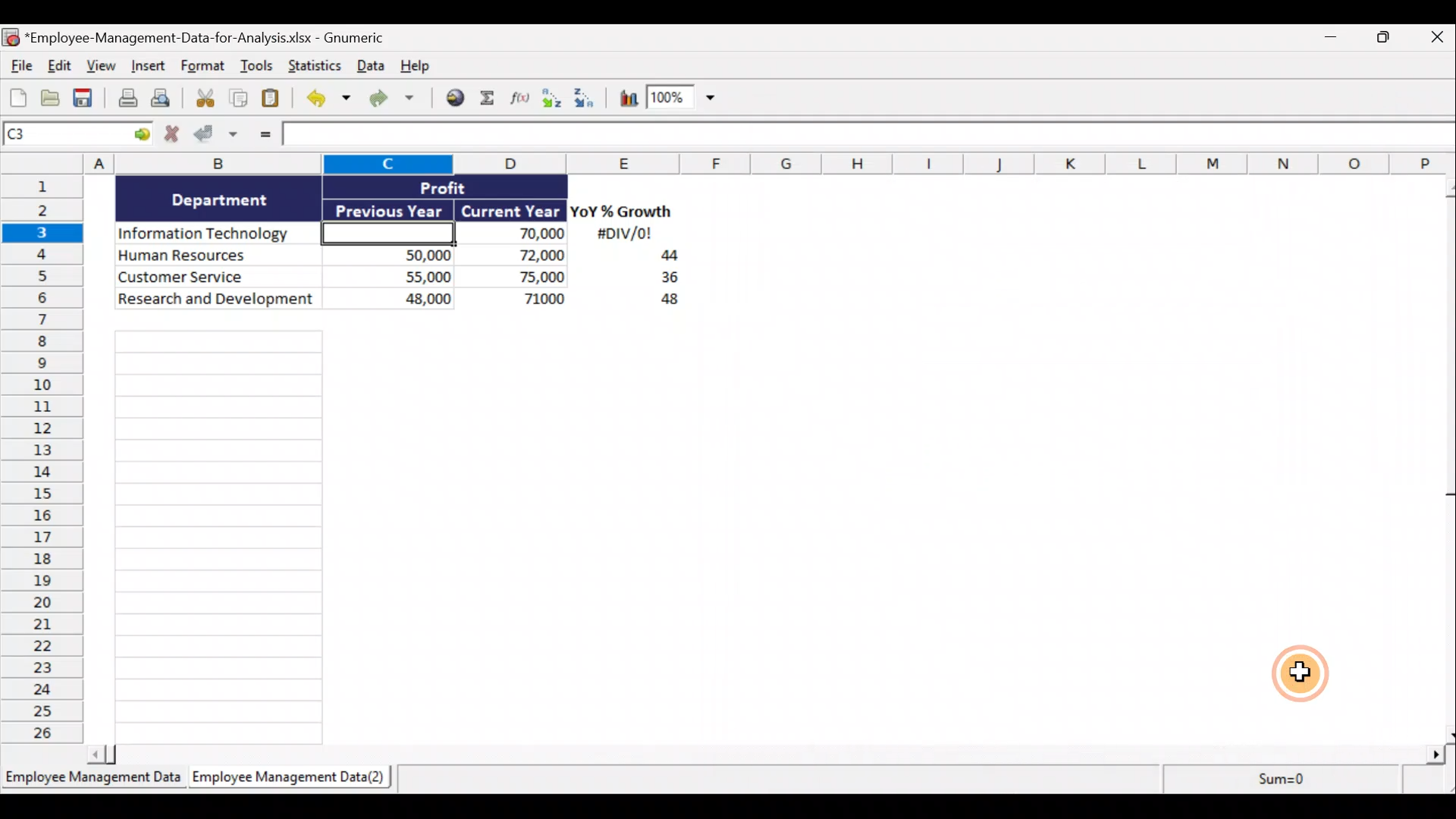 The width and height of the screenshot is (1456, 819). What do you see at coordinates (218, 234) in the screenshot?
I see `Information Technology` at bounding box center [218, 234].